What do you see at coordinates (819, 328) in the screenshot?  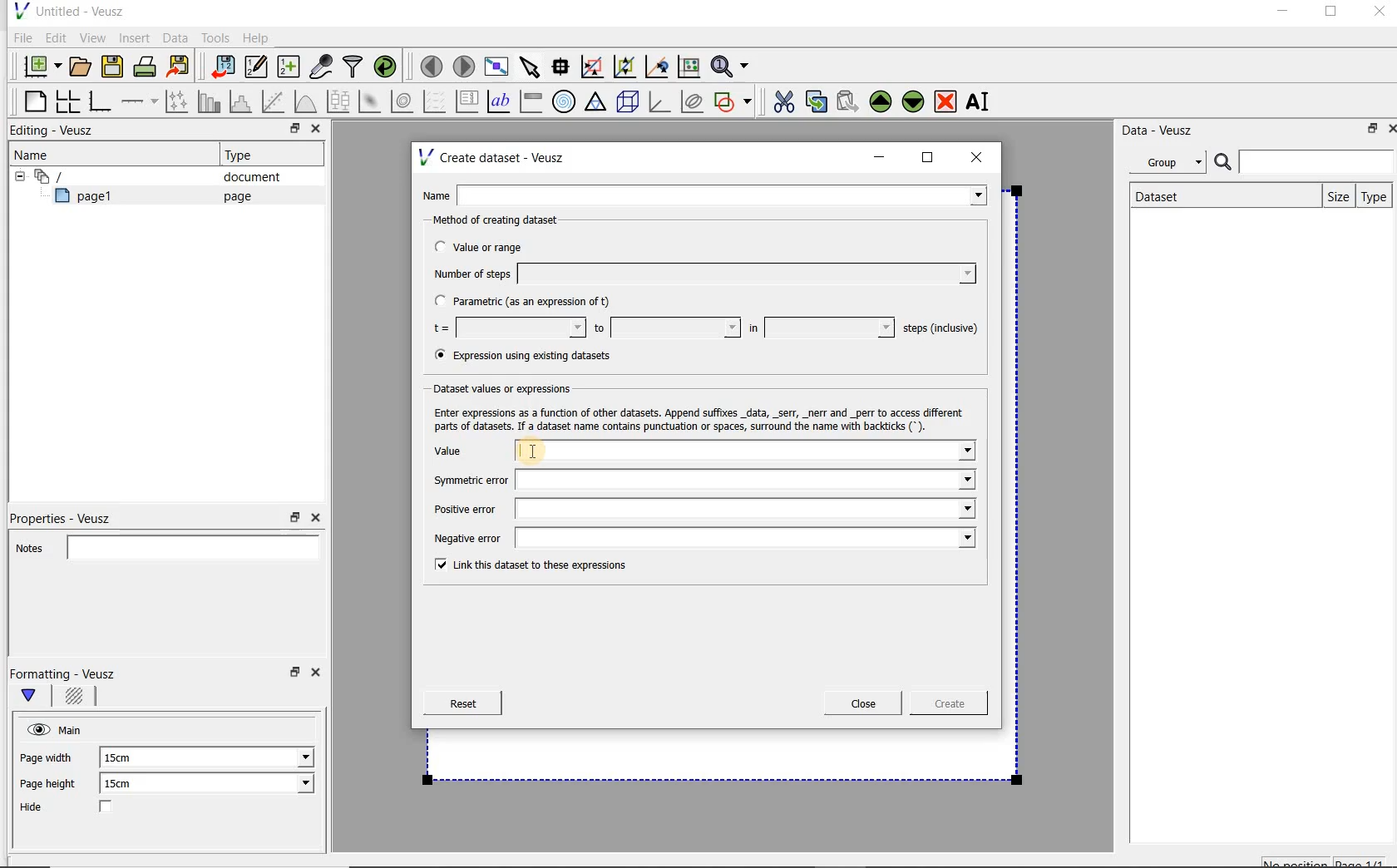 I see `in ` at bounding box center [819, 328].